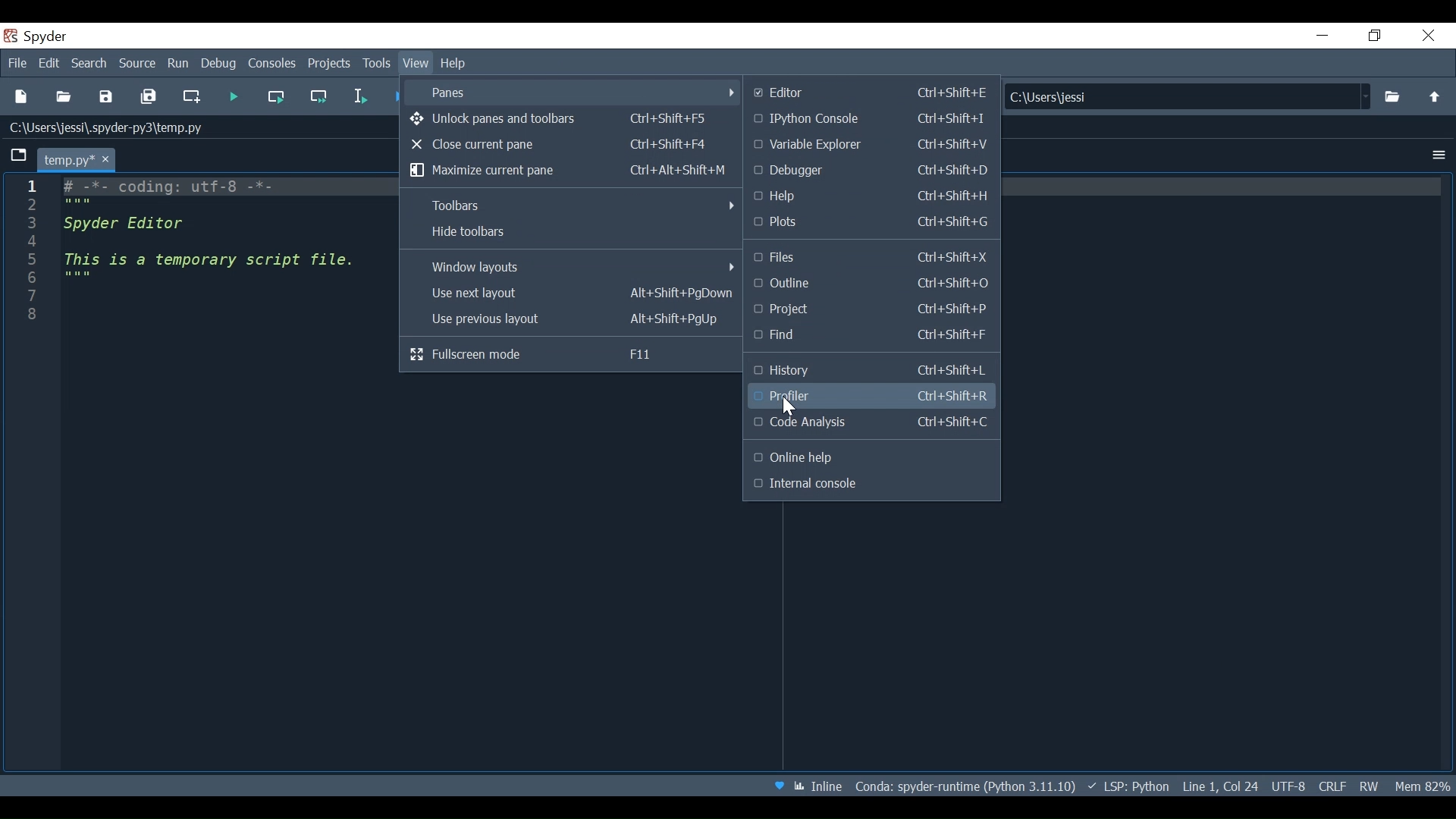 The height and width of the screenshot is (819, 1456). What do you see at coordinates (872, 195) in the screenshot?
I see `Help` at bounding box center [872, 195].